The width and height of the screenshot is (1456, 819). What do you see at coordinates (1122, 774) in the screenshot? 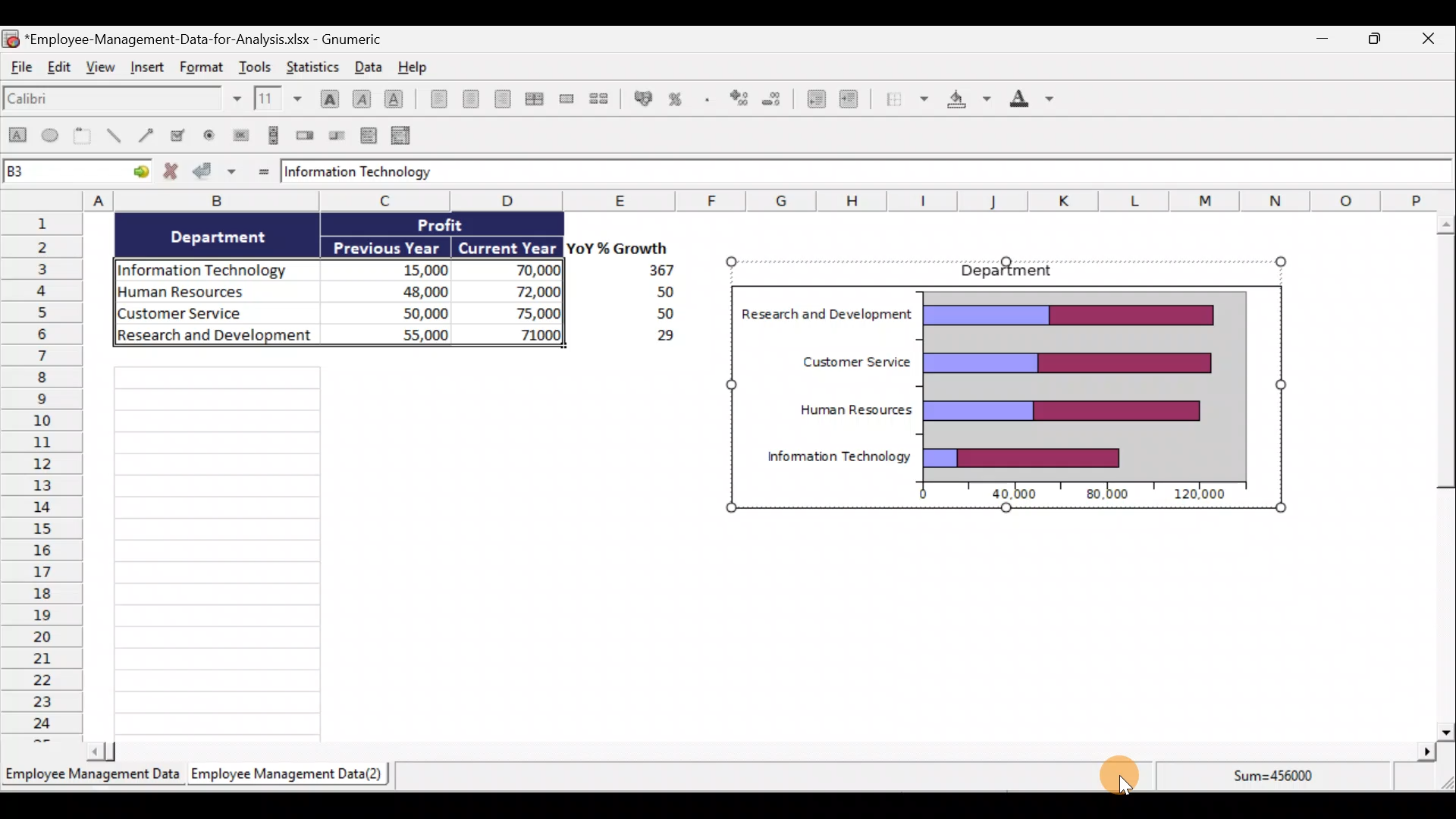
I see `Cursor` at bounding box center [1122, 774].